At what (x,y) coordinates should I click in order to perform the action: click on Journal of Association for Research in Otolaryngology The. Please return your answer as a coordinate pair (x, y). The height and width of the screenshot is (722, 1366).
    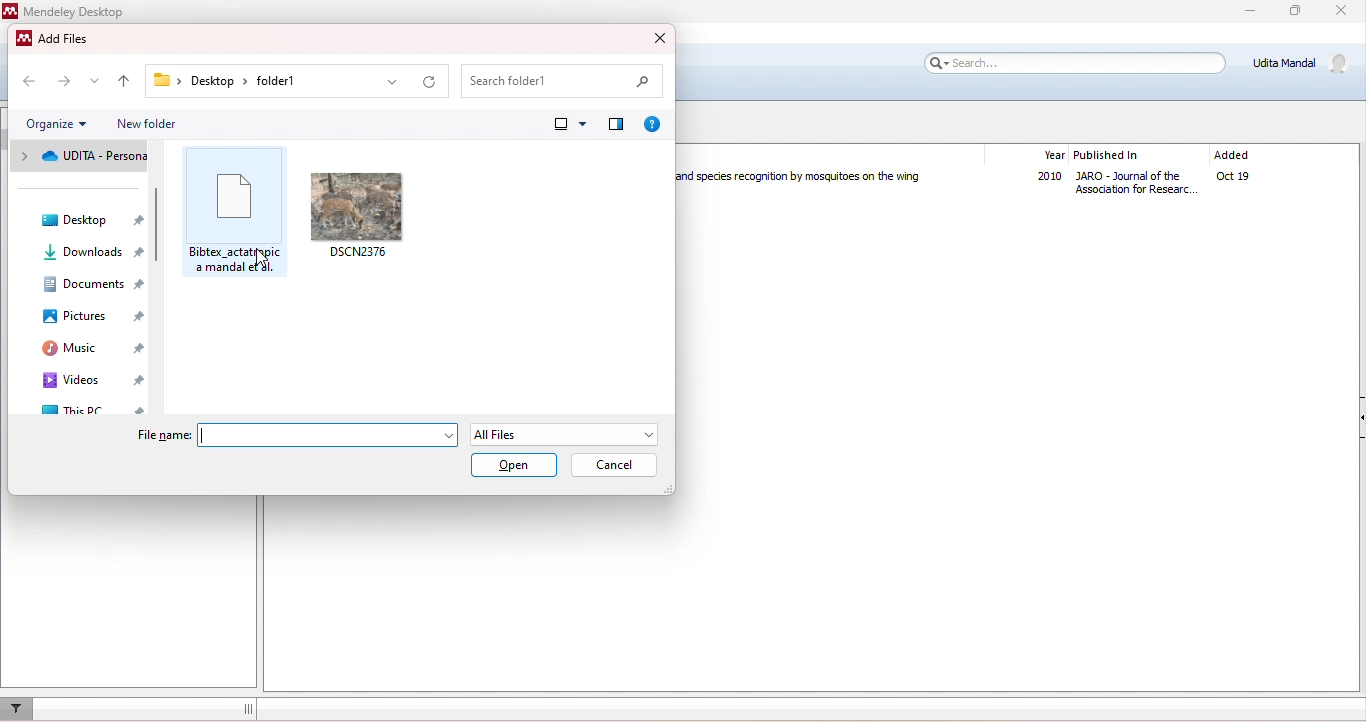
    Looking at the image, I should click on (1136, 183).